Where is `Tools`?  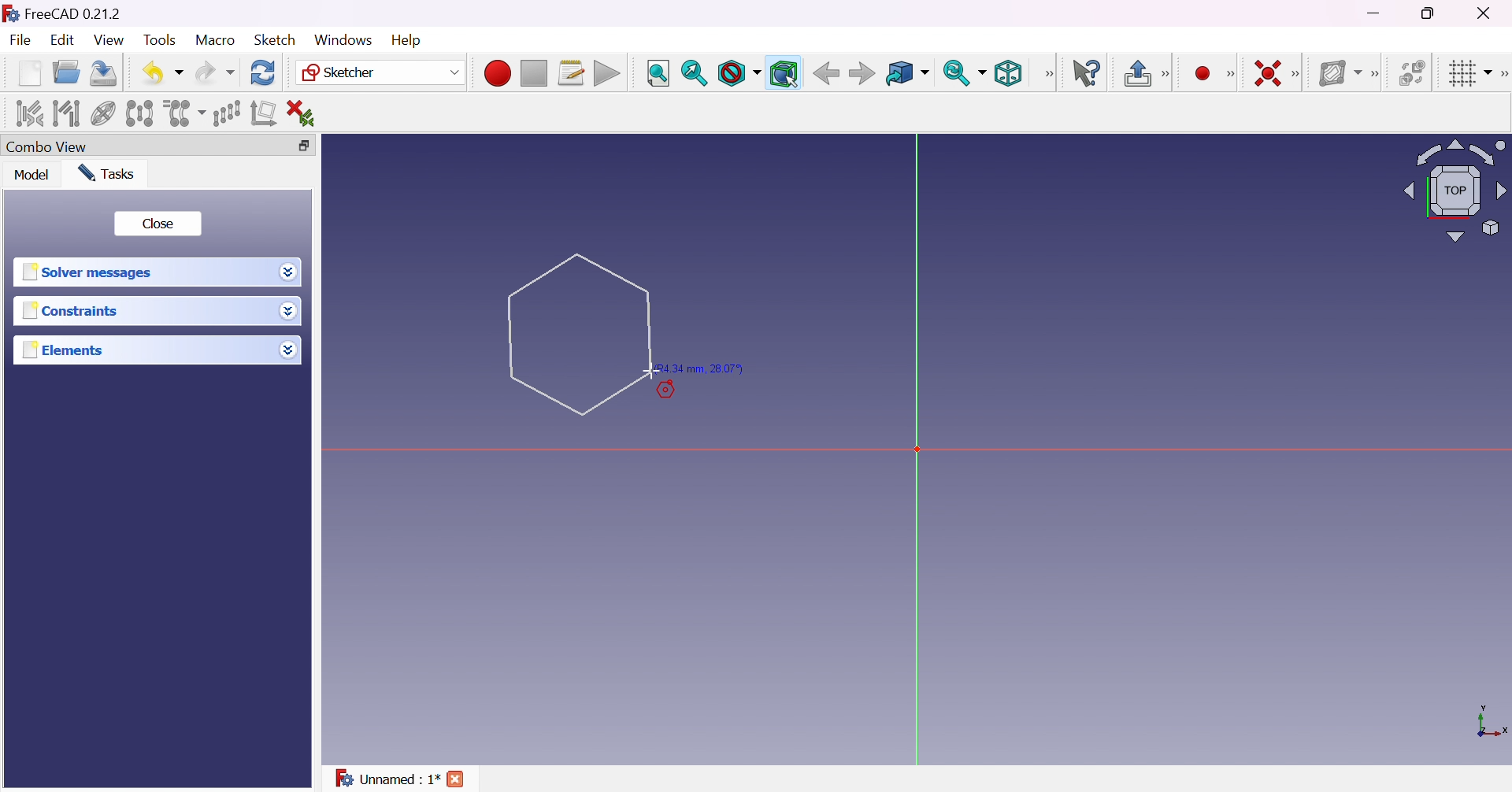
Tools is located at coordinates (162, 41).